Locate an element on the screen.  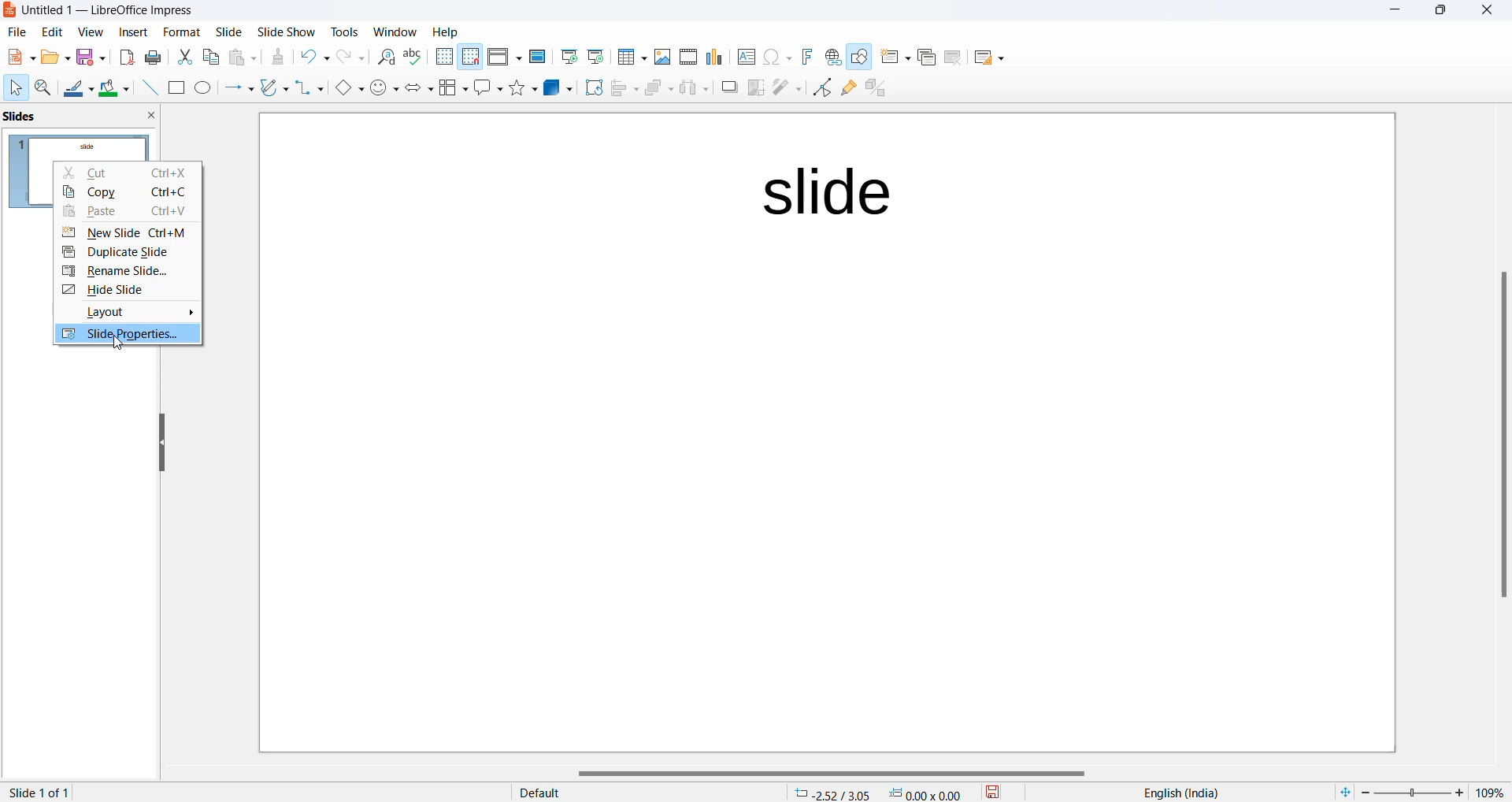
file name is located at coordinates (103, 12).